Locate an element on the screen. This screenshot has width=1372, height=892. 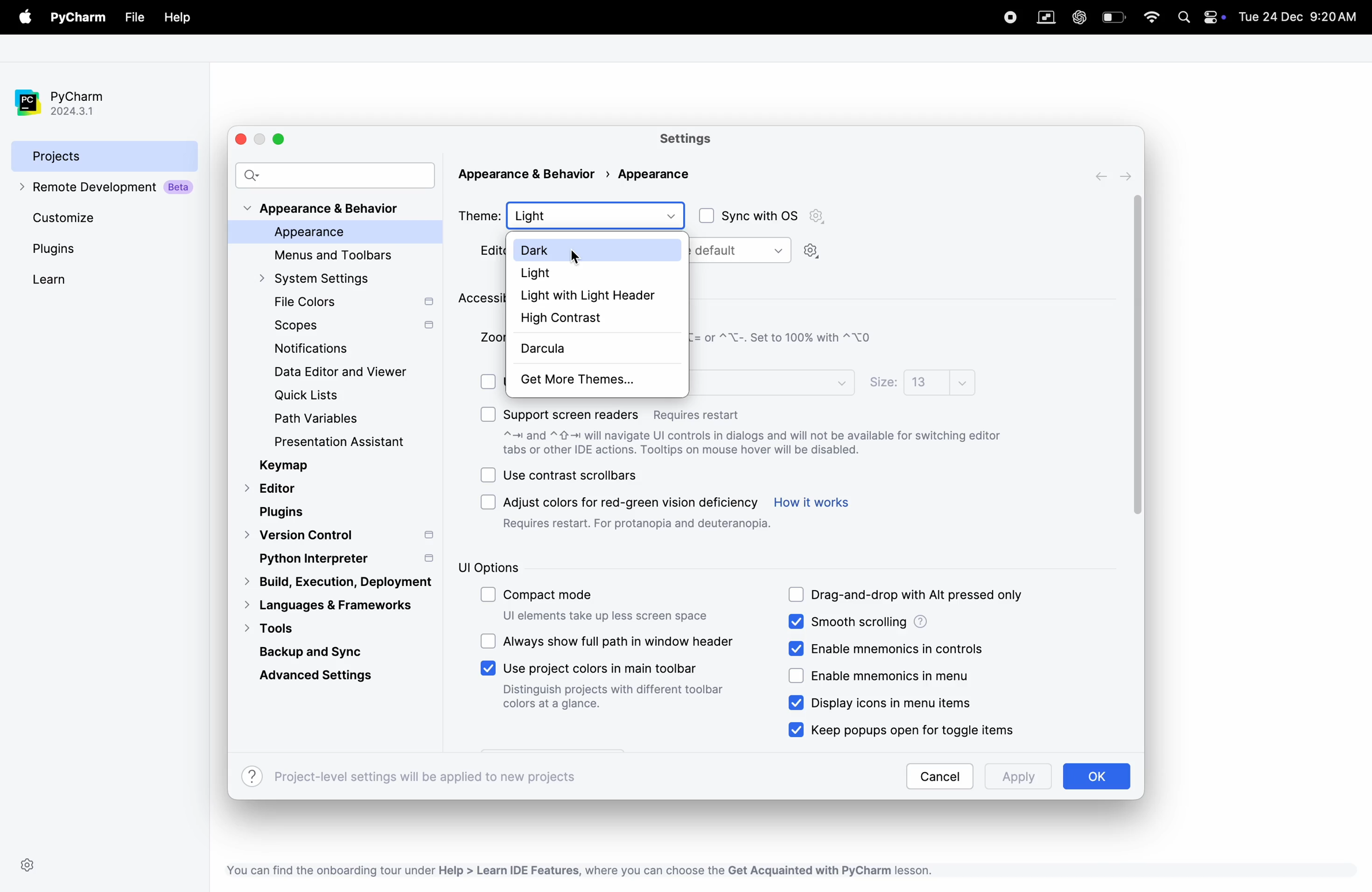
learn is located at coordinates (68, 279).